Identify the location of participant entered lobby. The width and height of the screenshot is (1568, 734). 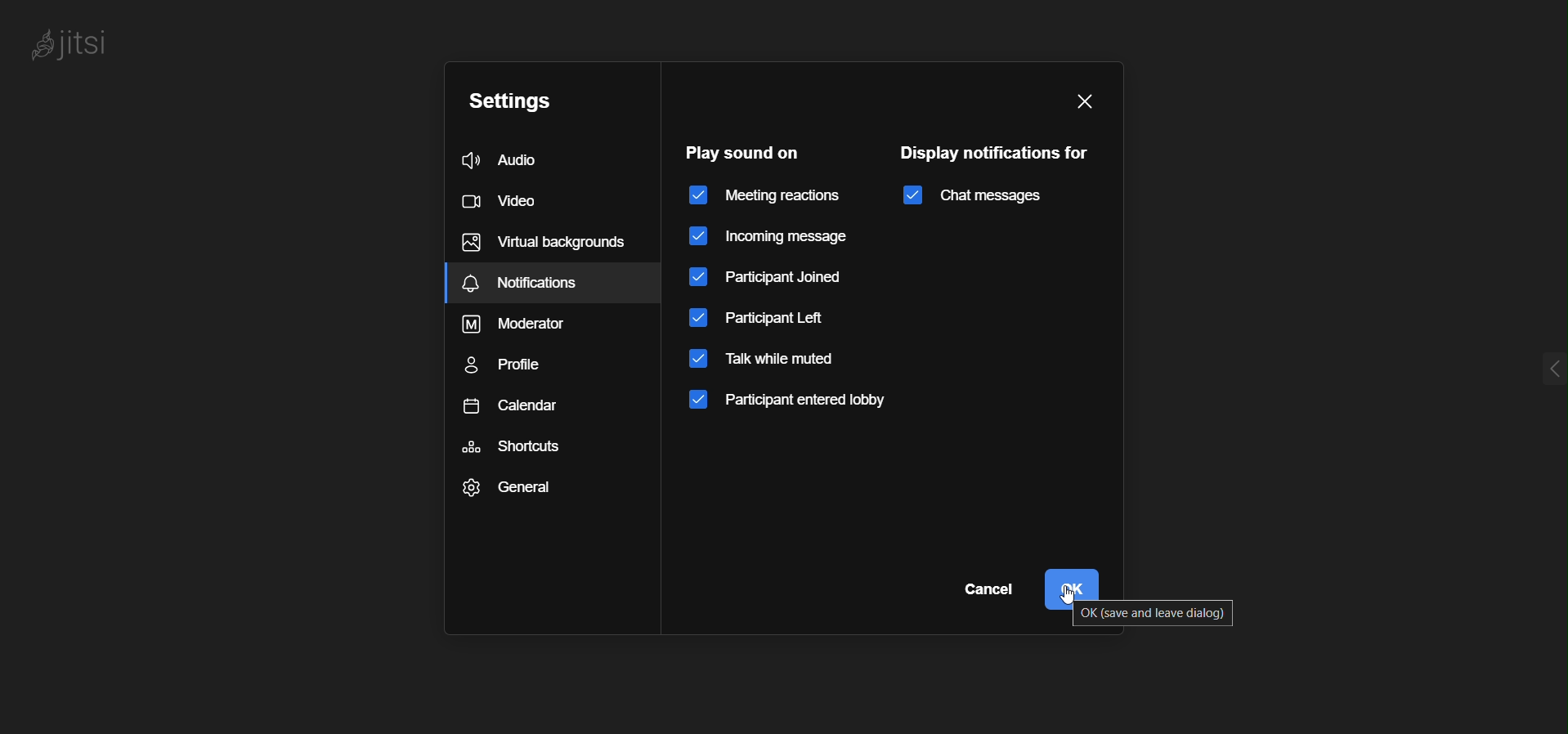
(788, 407).